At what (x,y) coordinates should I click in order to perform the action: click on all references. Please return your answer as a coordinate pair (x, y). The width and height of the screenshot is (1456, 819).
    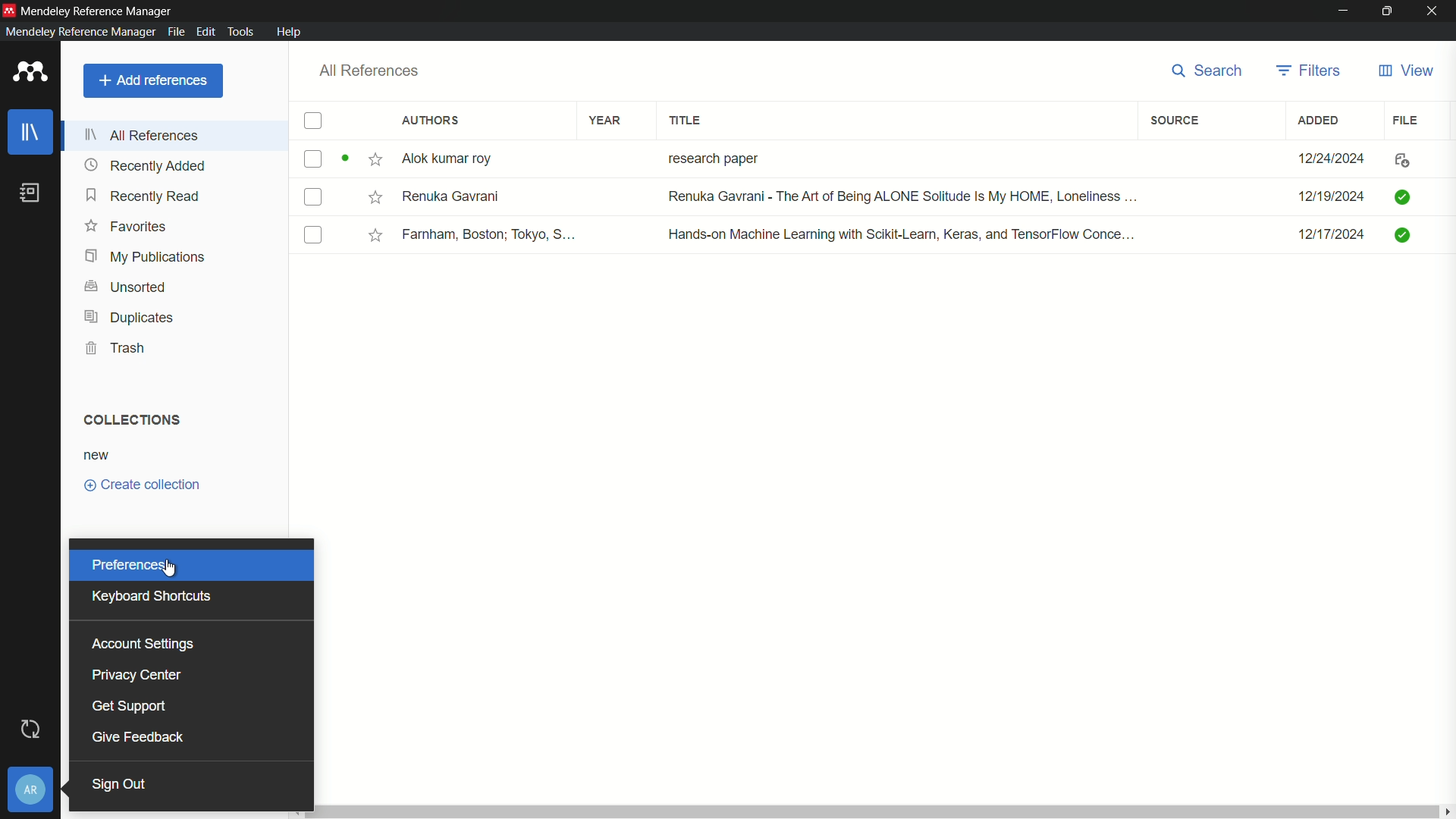
    Looking at the image, I should click on (145, 137).